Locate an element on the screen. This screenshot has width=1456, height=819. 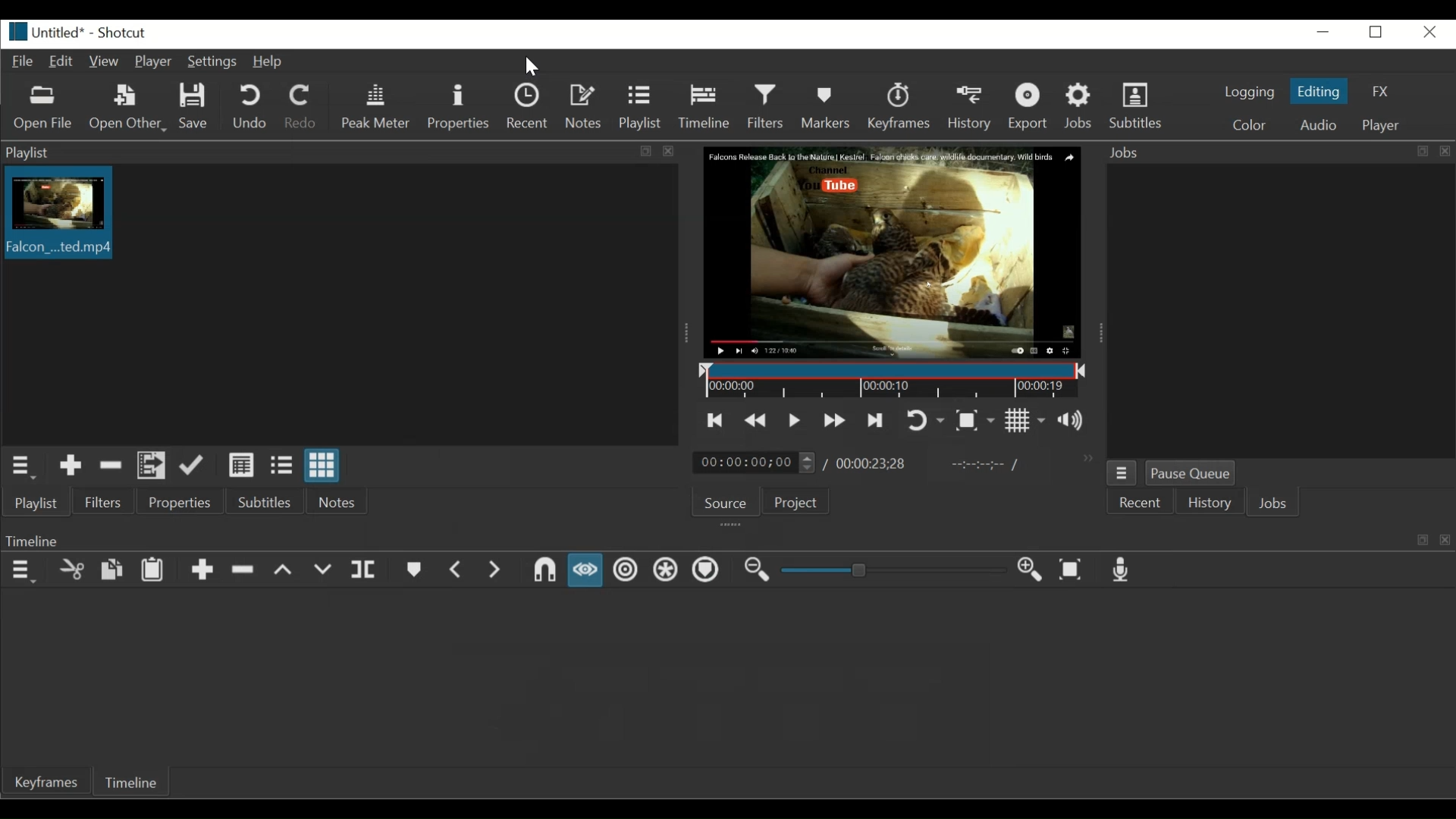
Jobs panel is located at coordinates (1278, 309).